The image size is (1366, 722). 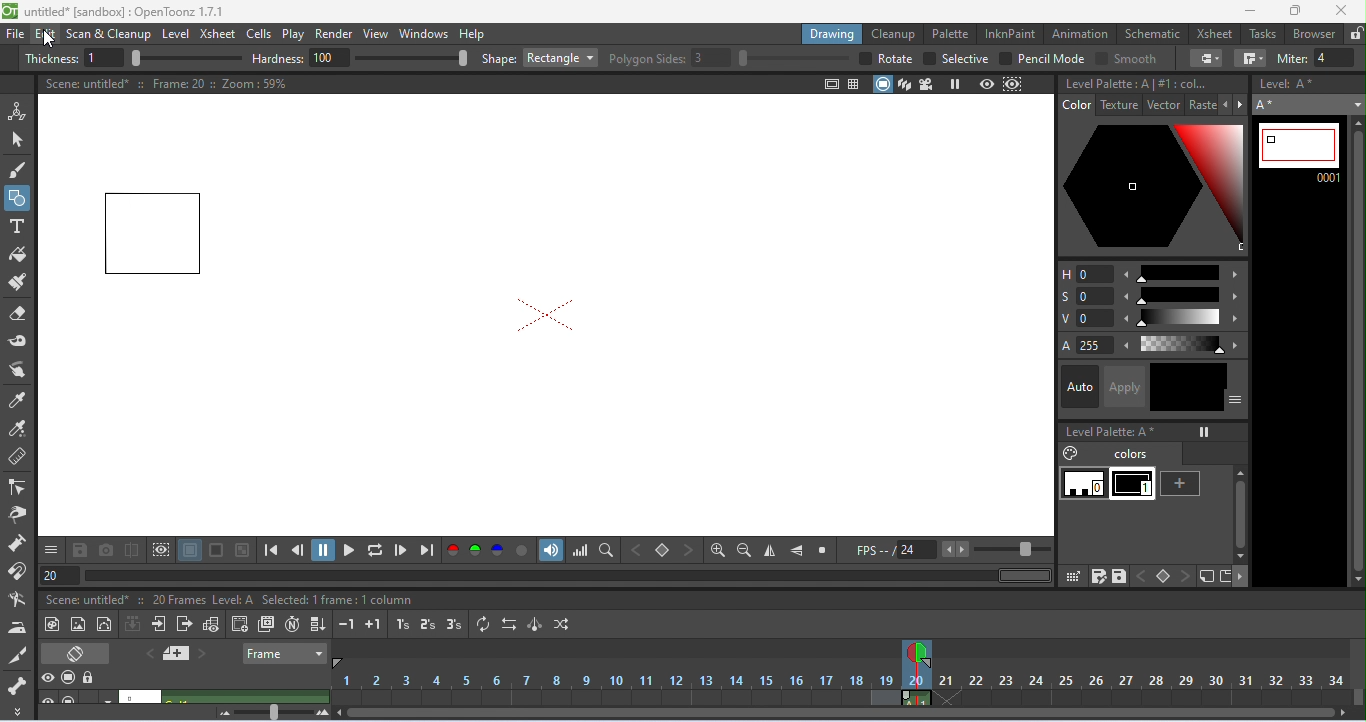 What do you see at coordinates (1121, 106) in the screenshot?
I see `texture` at bounding box center [1121, 106].